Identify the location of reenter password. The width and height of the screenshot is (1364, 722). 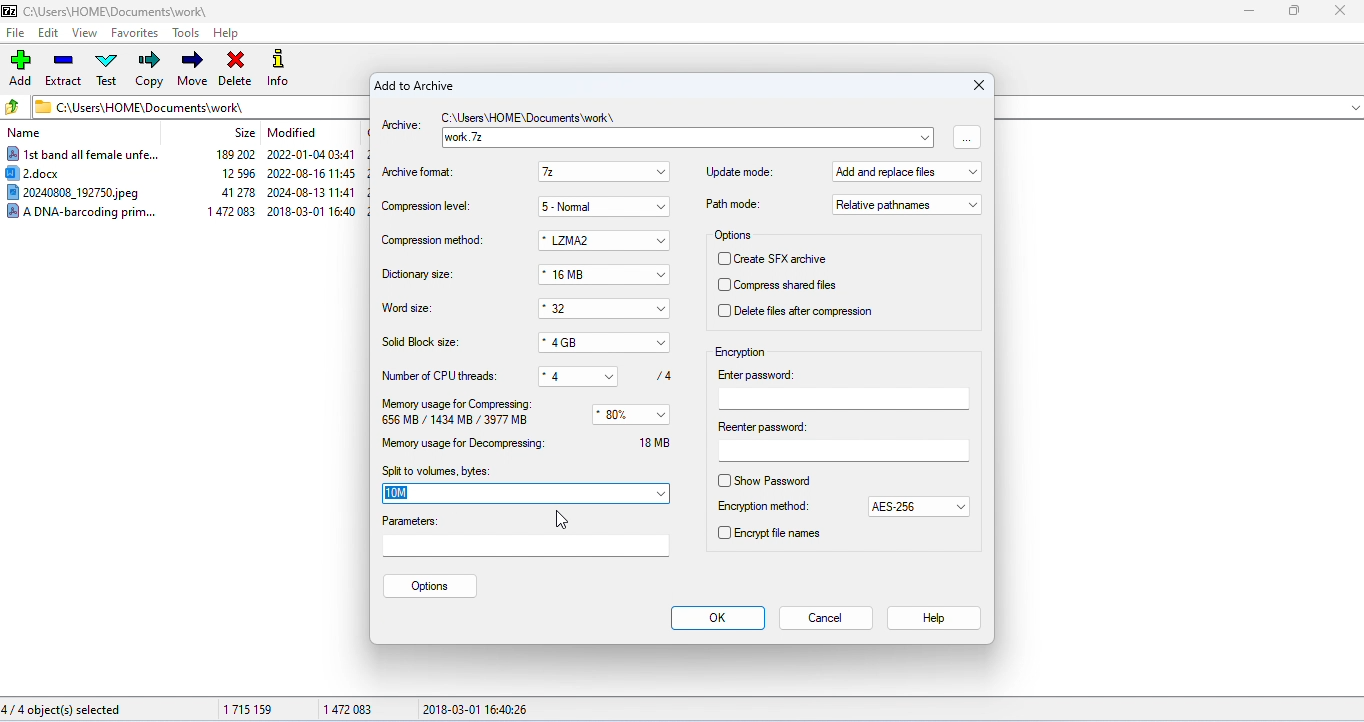
(842, 442).